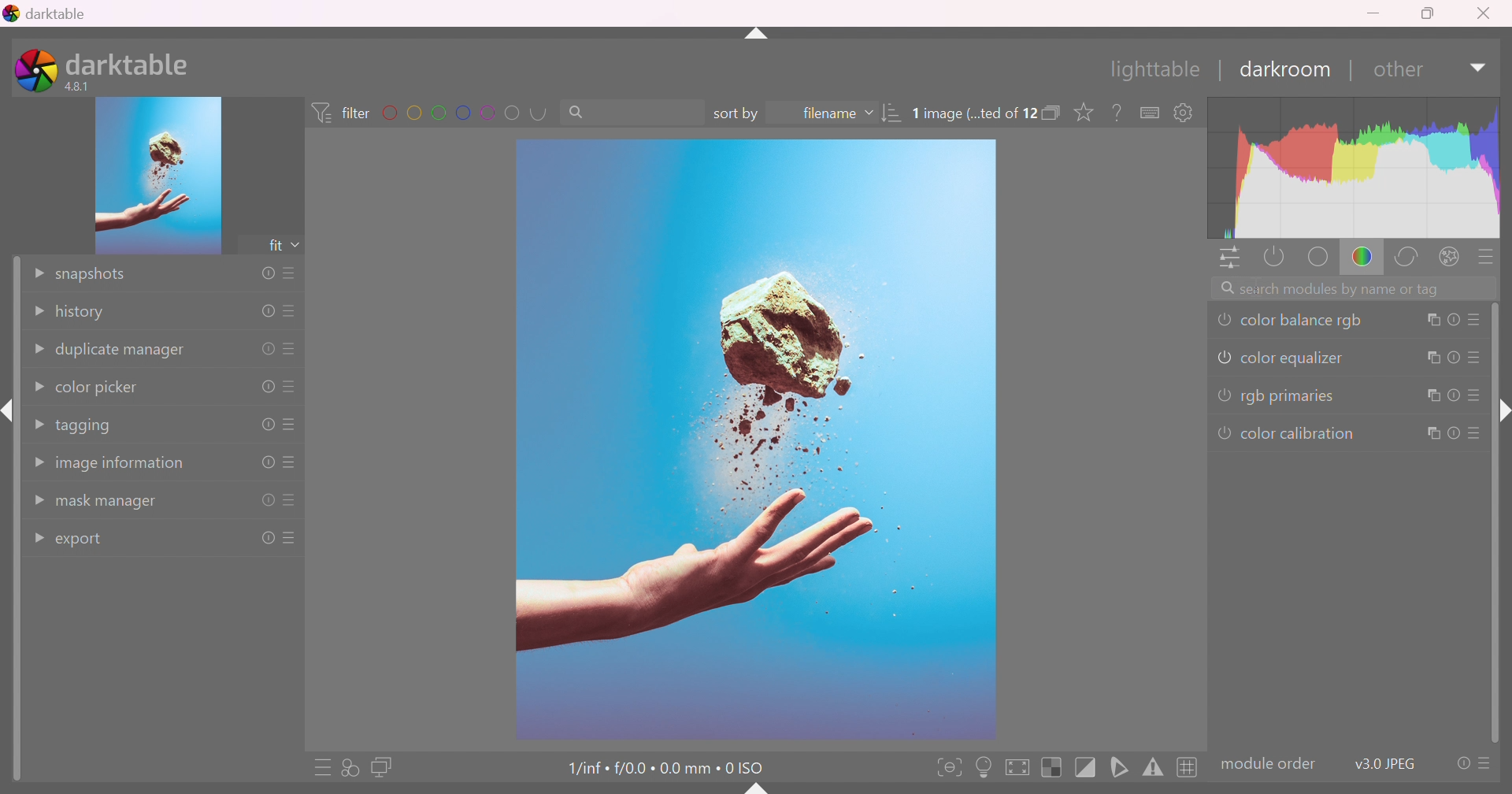  I want to click on effect, so click(1451, 257).